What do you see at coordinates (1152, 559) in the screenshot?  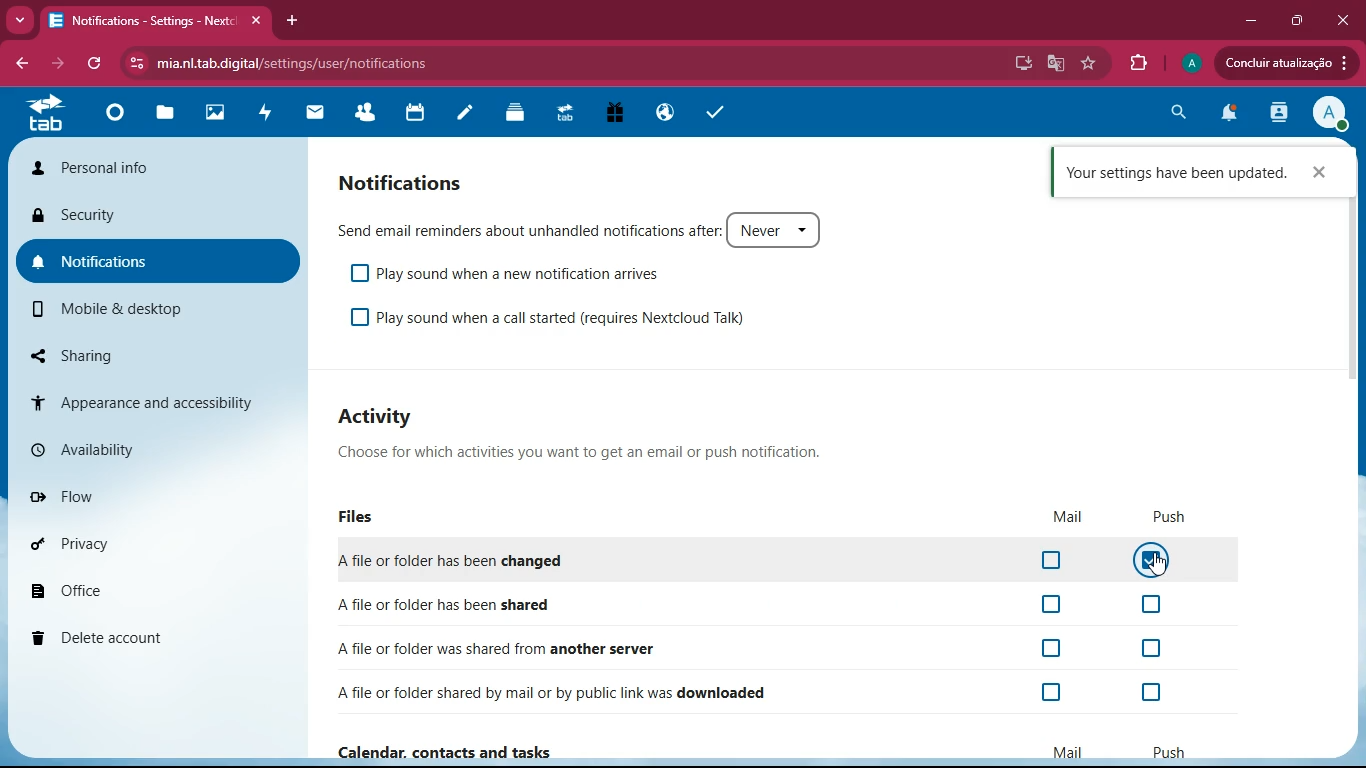 I see `Cursor , button on` at bounding box center [1152, 559].